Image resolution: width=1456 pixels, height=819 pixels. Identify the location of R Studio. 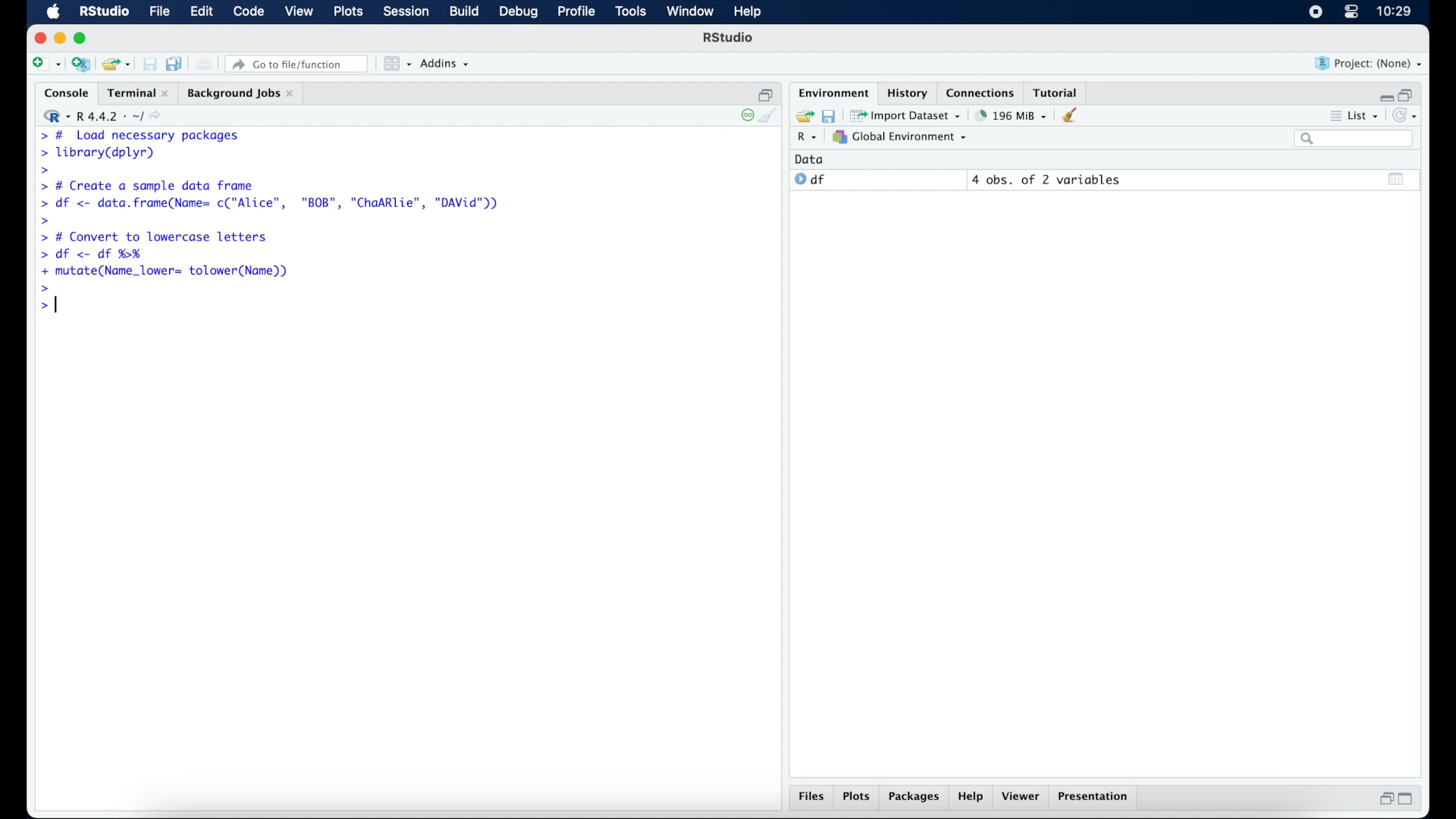
(730, 39).